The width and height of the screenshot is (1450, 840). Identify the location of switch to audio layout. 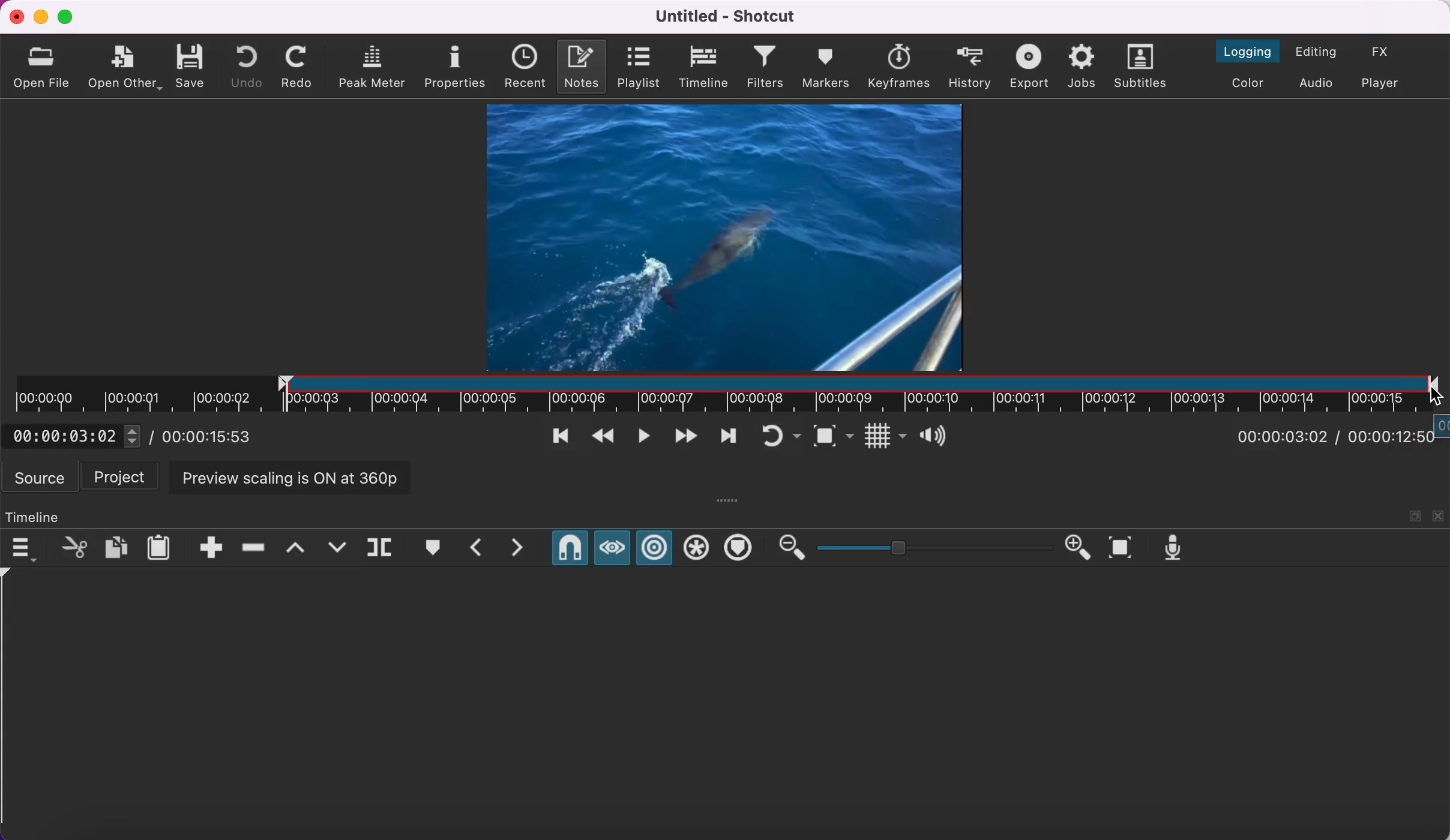
(1319, 83).